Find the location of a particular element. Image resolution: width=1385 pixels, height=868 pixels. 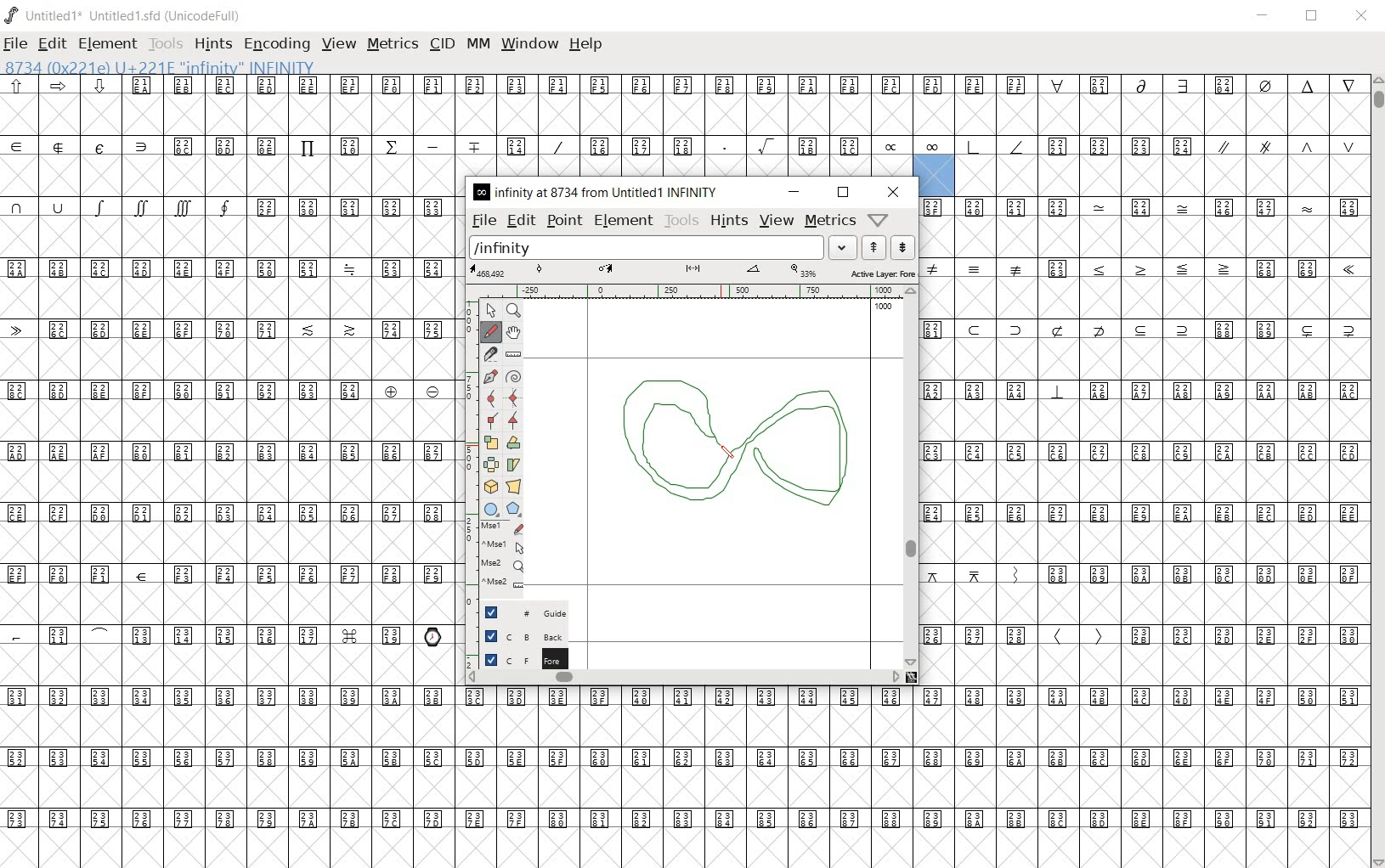

empty glyph slots is located at coordinates (682, 114).